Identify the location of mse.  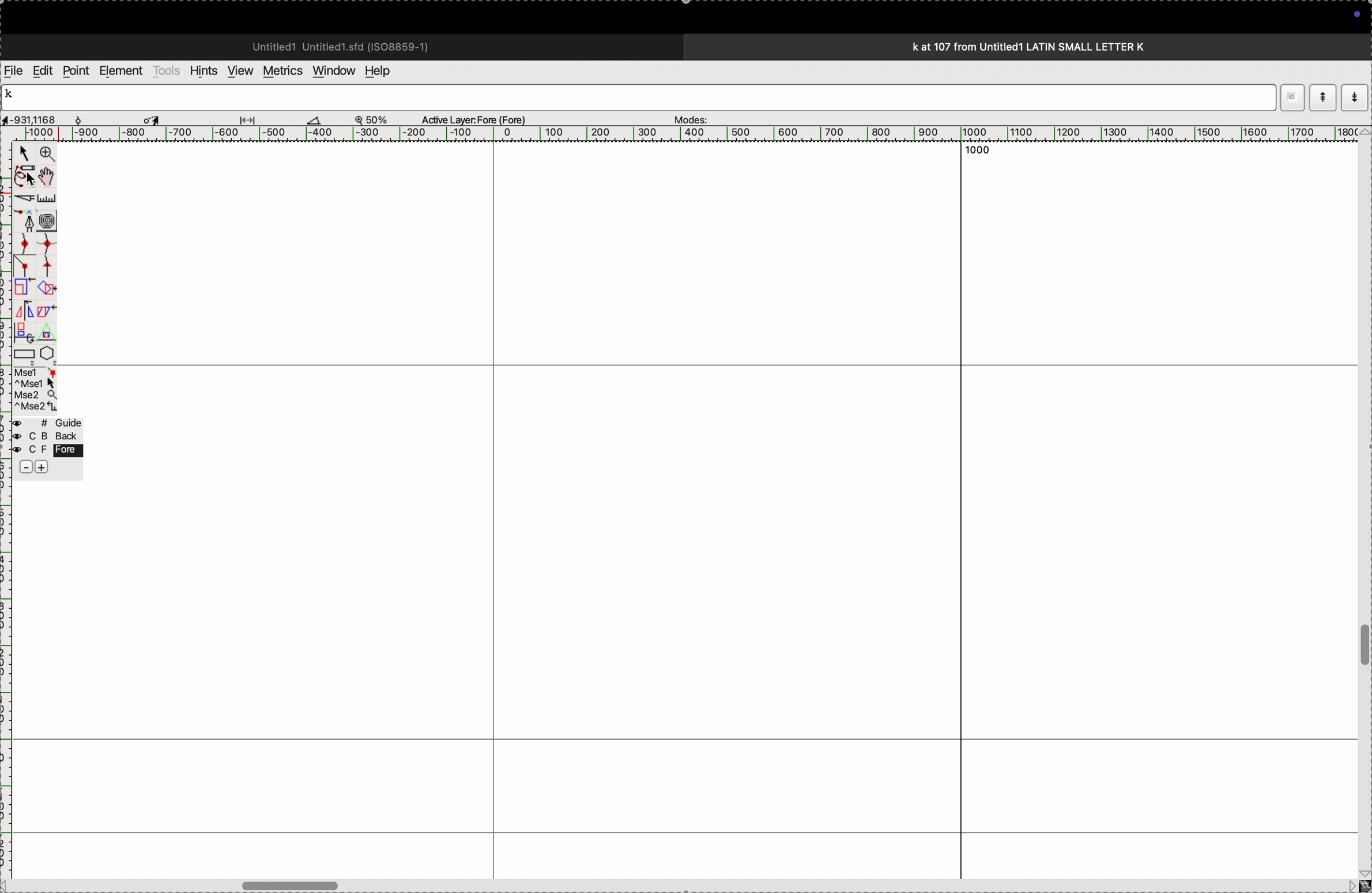
(38, 390).